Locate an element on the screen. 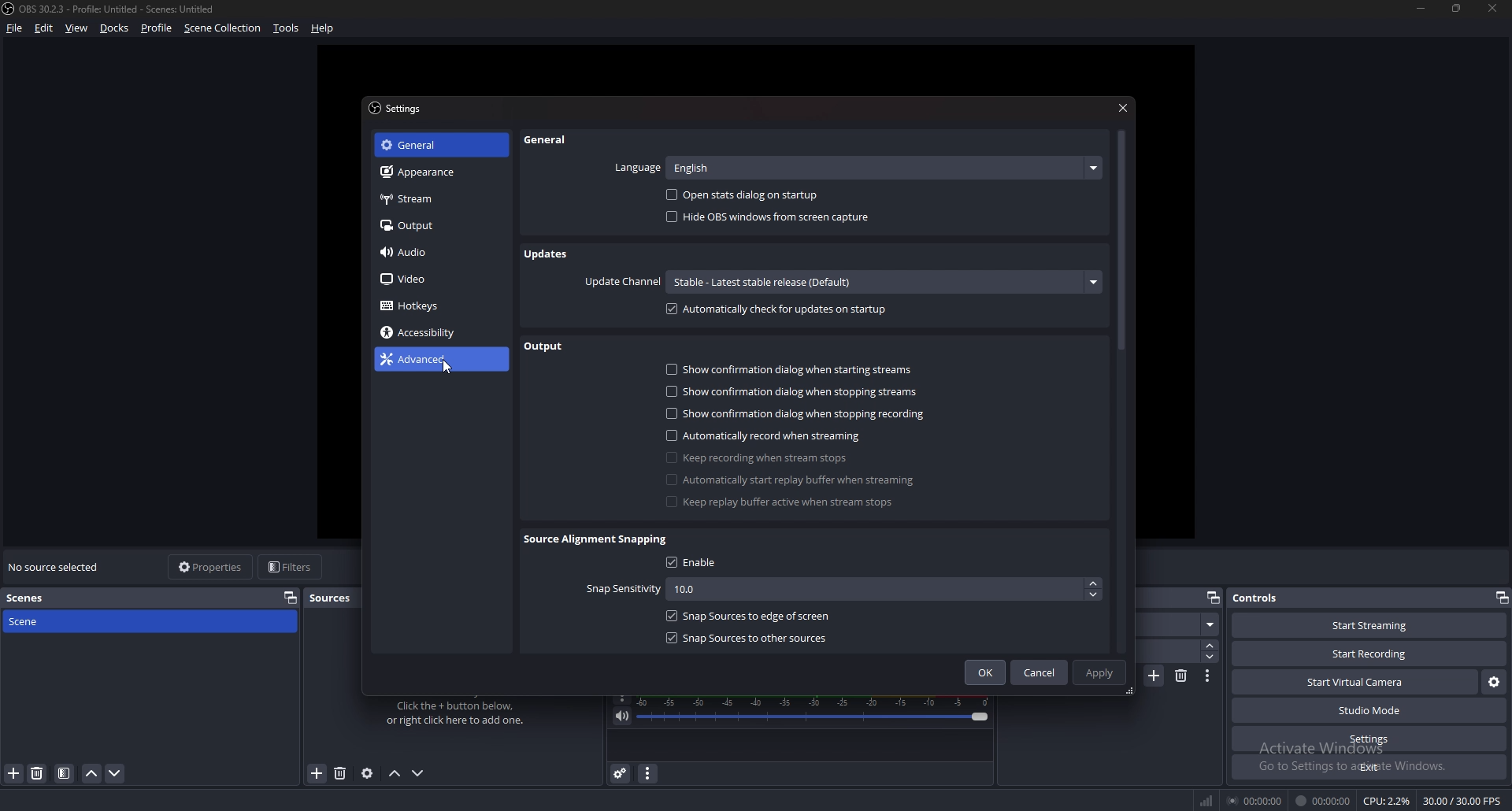  cancel is located at coordinates (1040, 672).